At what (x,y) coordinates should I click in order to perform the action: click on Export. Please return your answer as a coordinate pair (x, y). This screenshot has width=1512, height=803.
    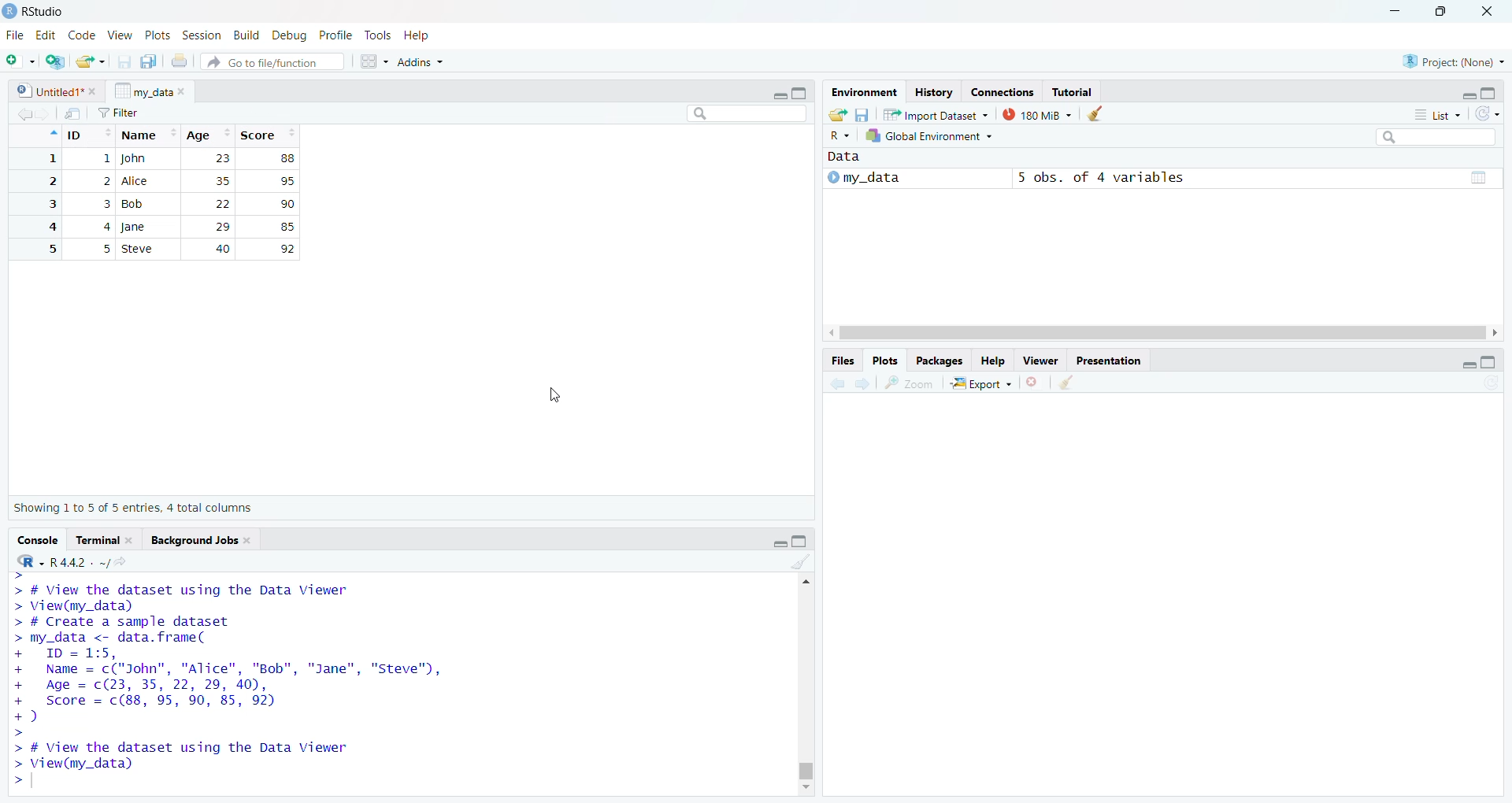
    Looking at the image, I should click on (978, 383).